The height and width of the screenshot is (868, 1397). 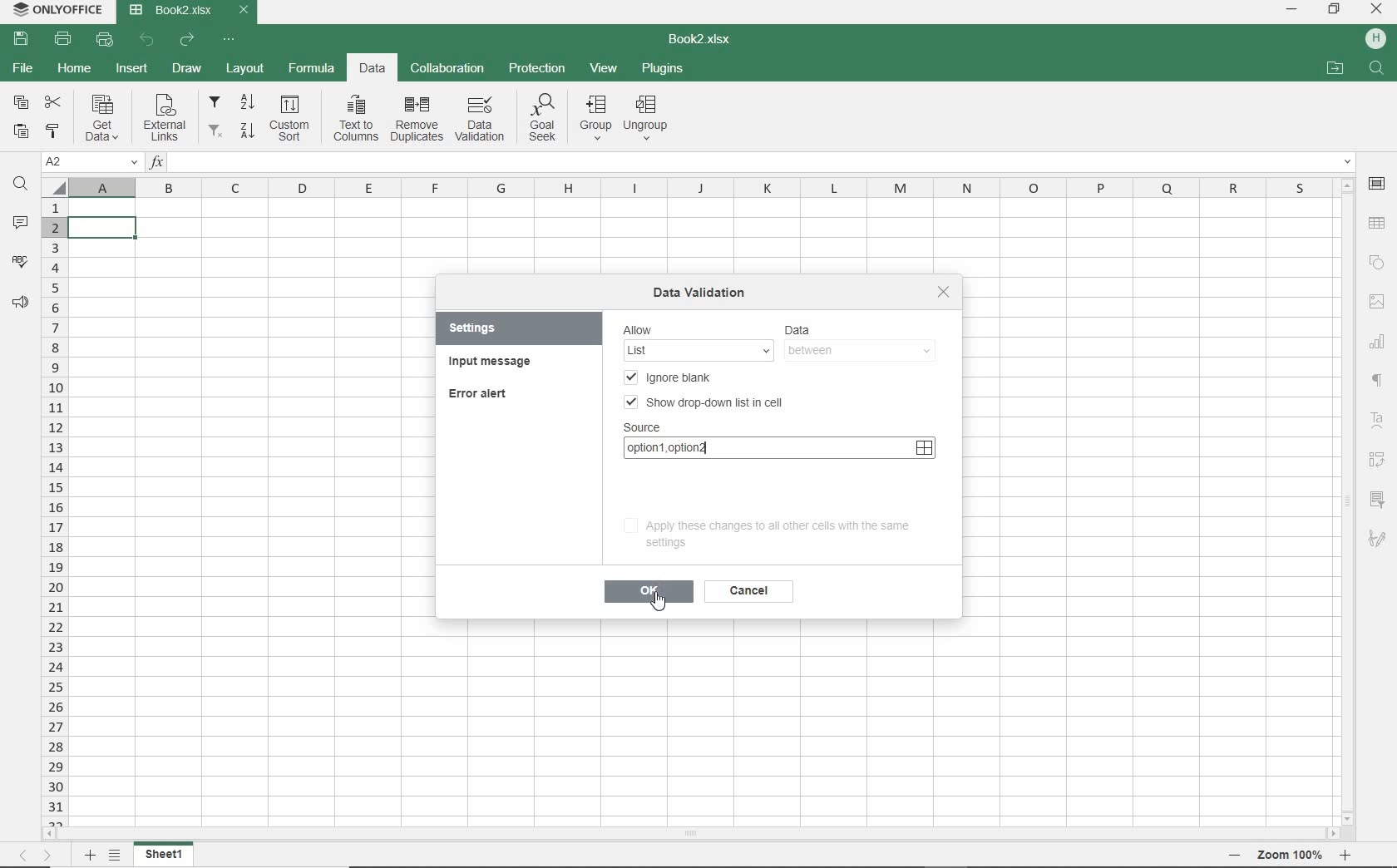 What do you see at coordinates (53, 103) in the screenshot?
I see `CUT` at bounding box center [53, 103].